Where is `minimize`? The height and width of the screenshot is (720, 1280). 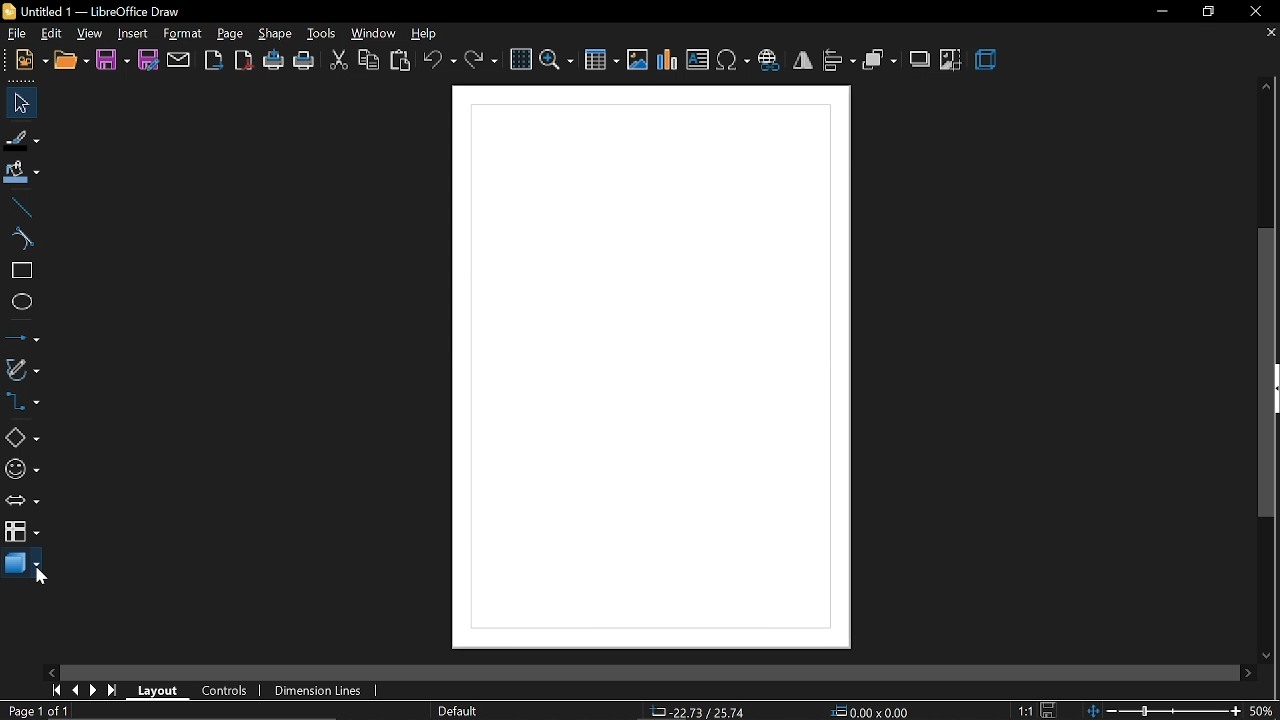 minimize is located at coordinates (1162, 13).